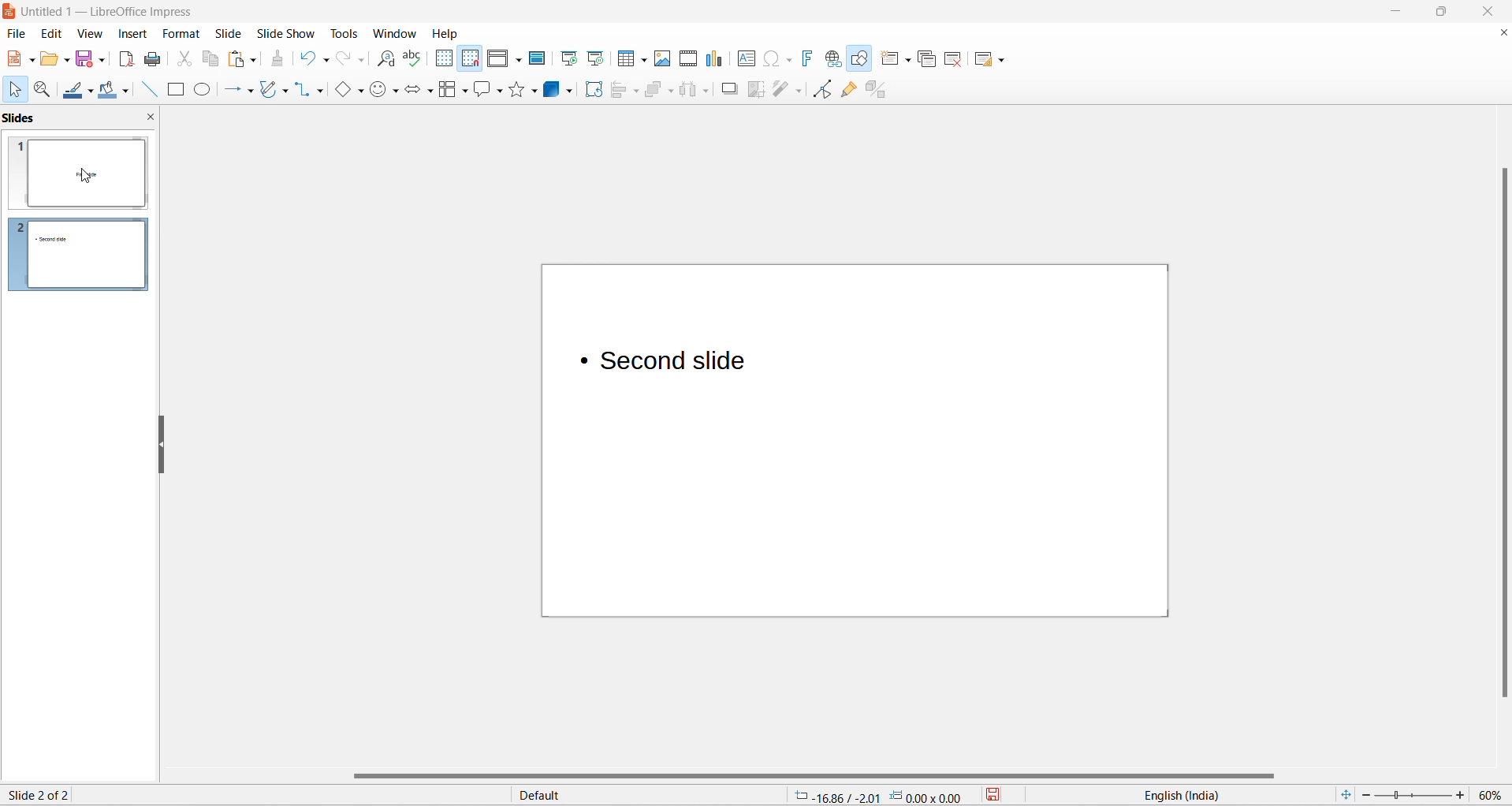  I want to click on new slide options, so click(907, 61).